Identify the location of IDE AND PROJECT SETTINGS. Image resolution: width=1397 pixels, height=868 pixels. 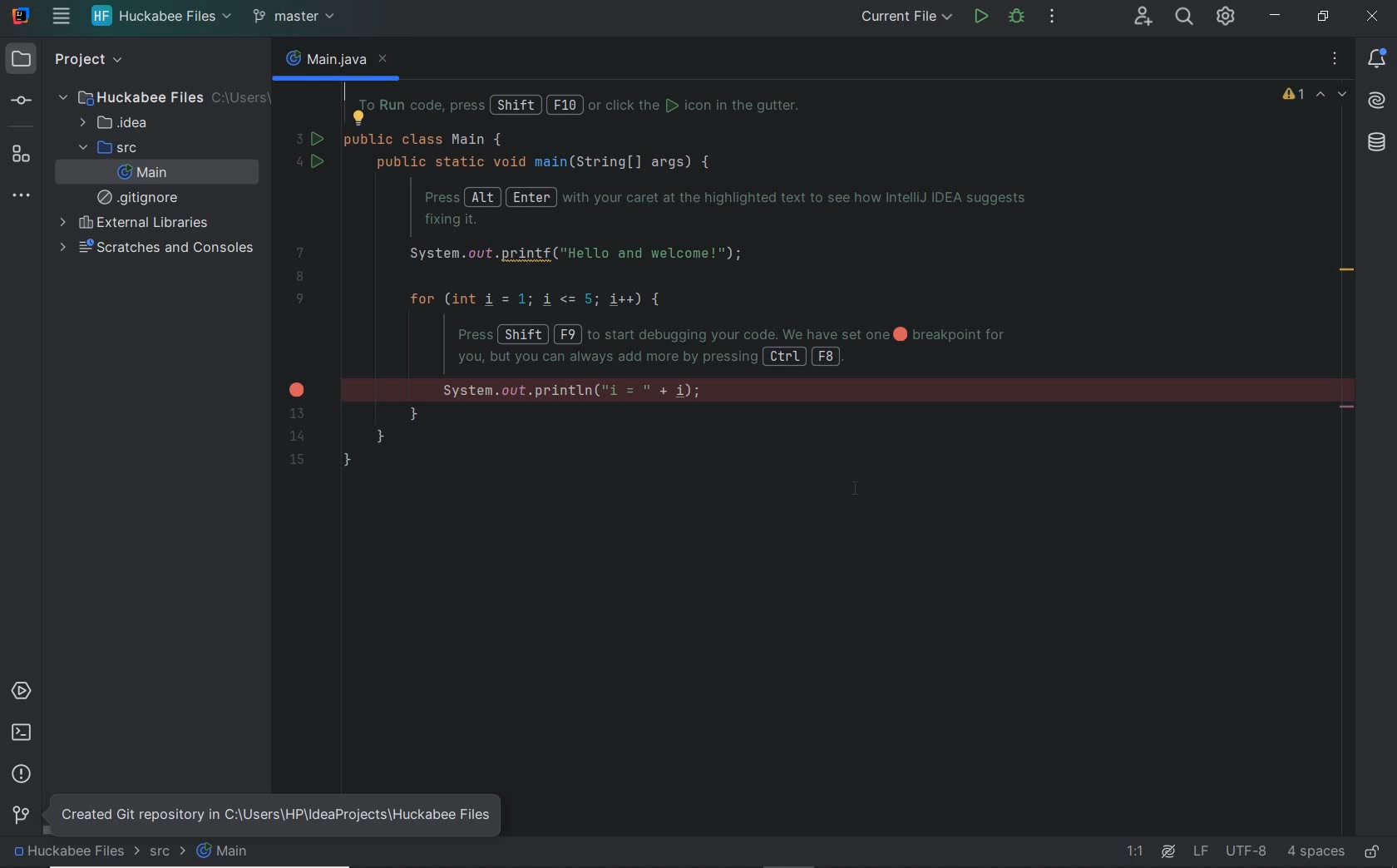
(1227, 17).